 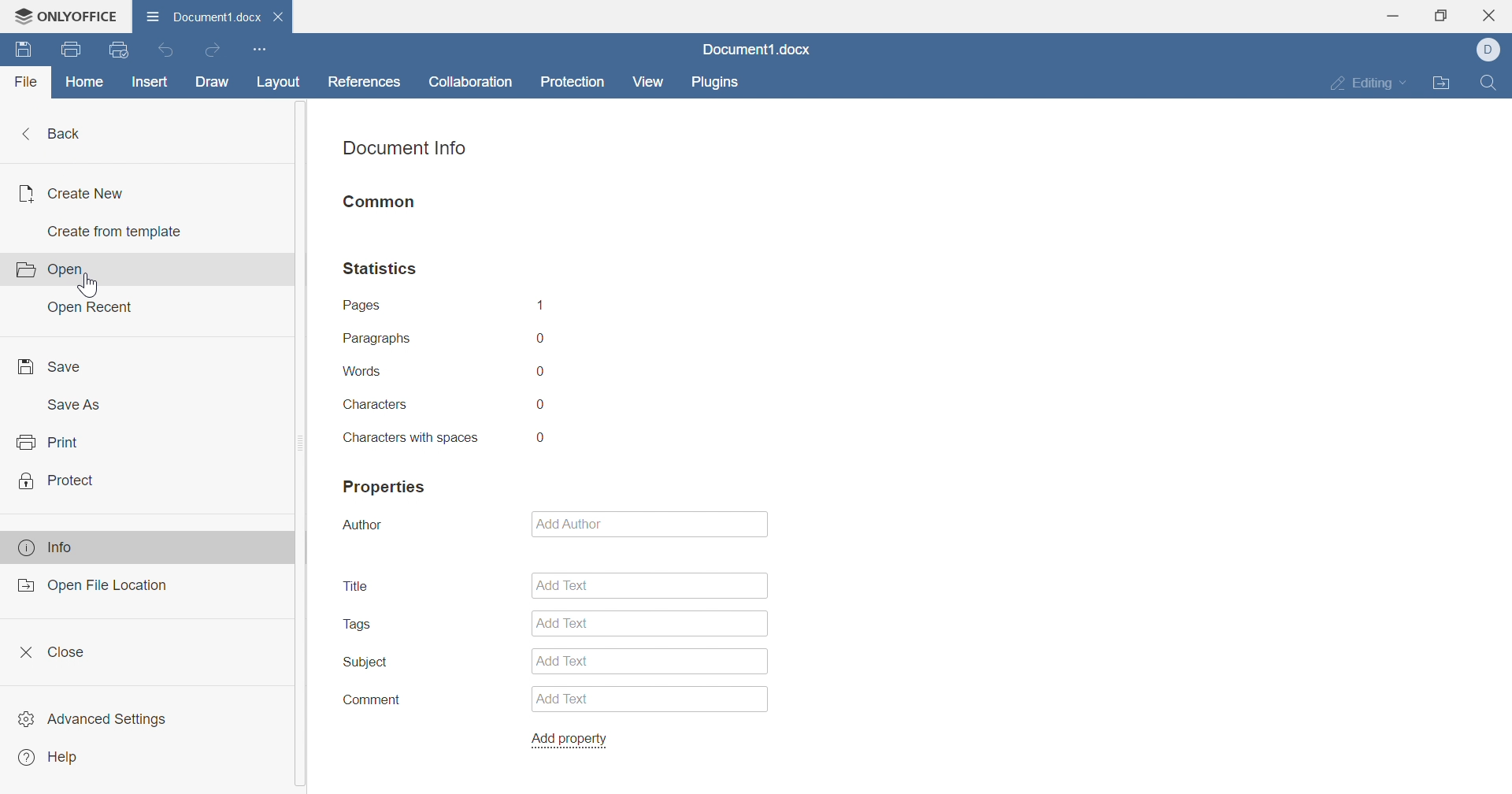 I want to click on find, so click(x=1491, y=84).